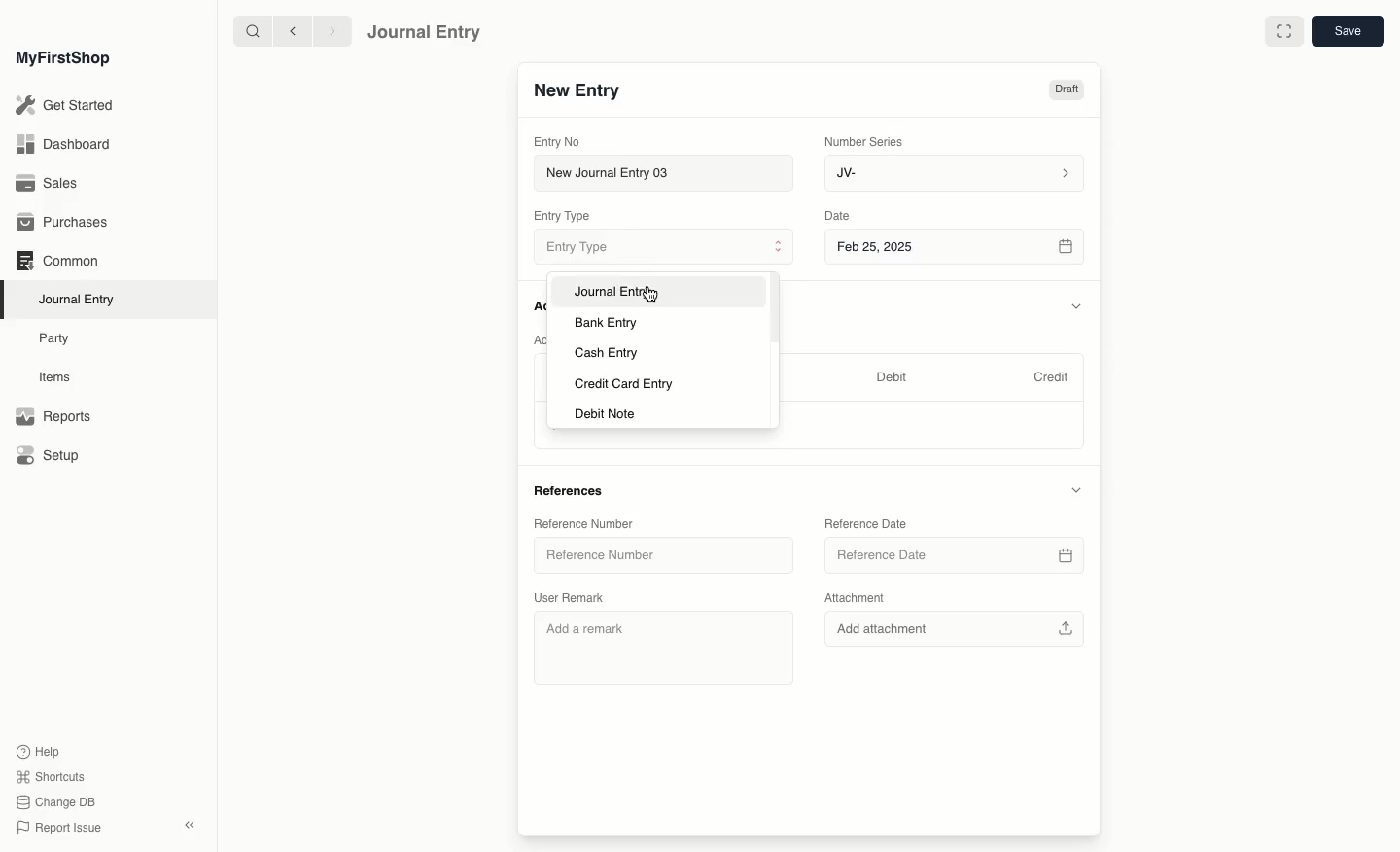 This screenshot has height=852, width=1400. What do you see at coordinates (574, 596) in the screenshot?
I see `User Remark` at bounding box center [574, 596].